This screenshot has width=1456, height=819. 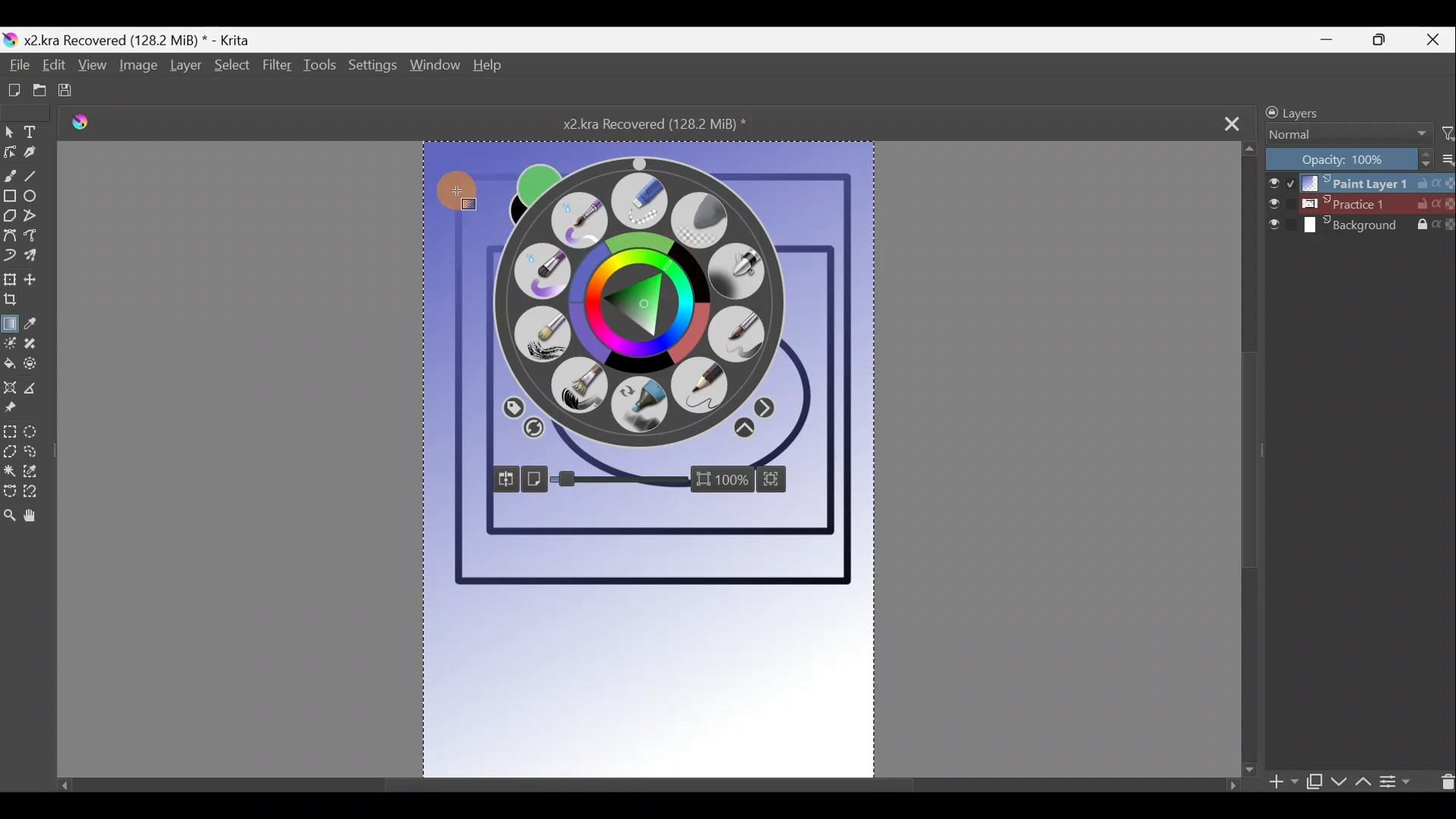 I want to click on View/change layer properties, so click(x=1402, y=780).